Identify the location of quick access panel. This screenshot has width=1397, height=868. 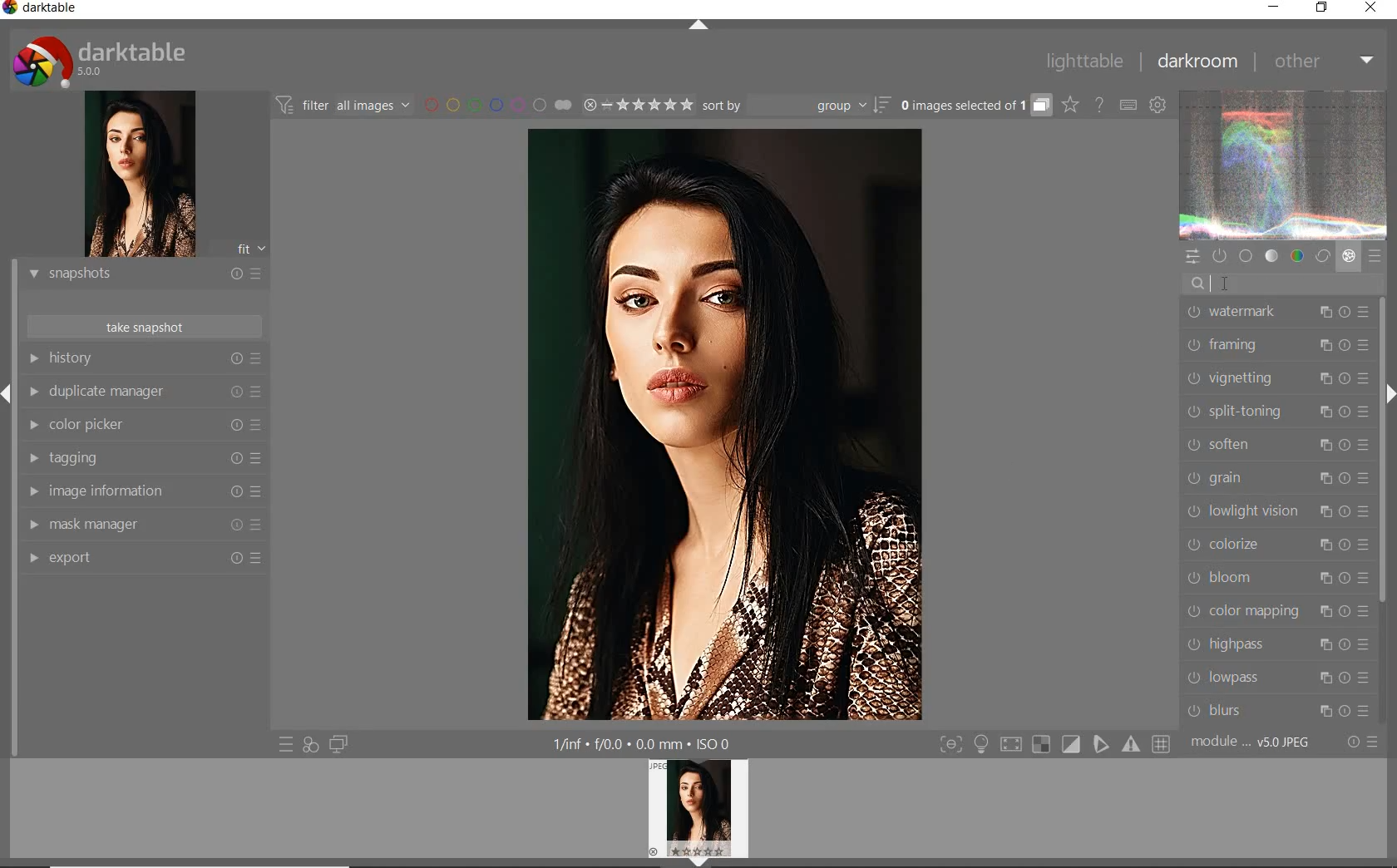
(1191, 257).